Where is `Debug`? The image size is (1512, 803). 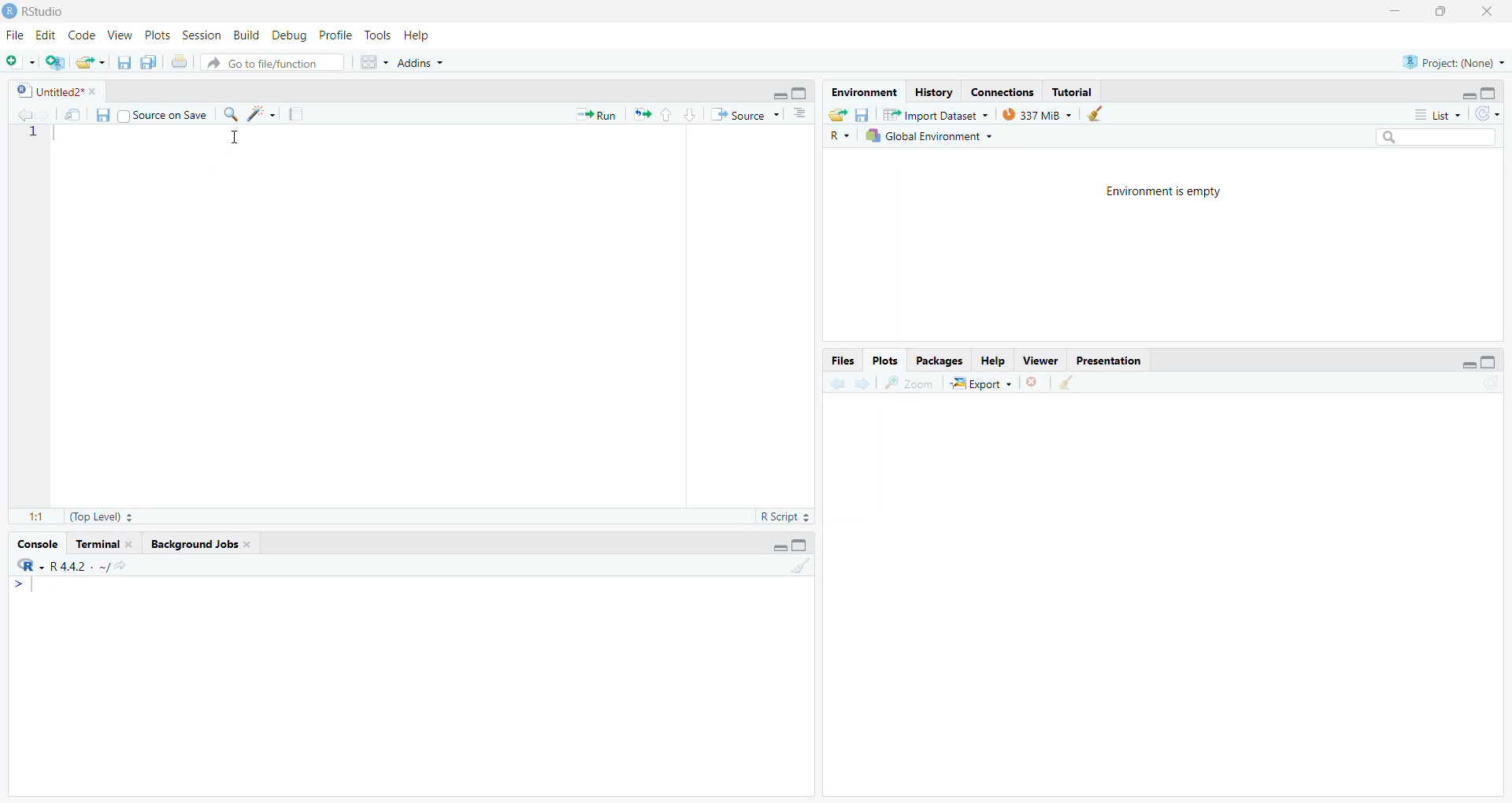
Debug is located at coordinates (289, 35).